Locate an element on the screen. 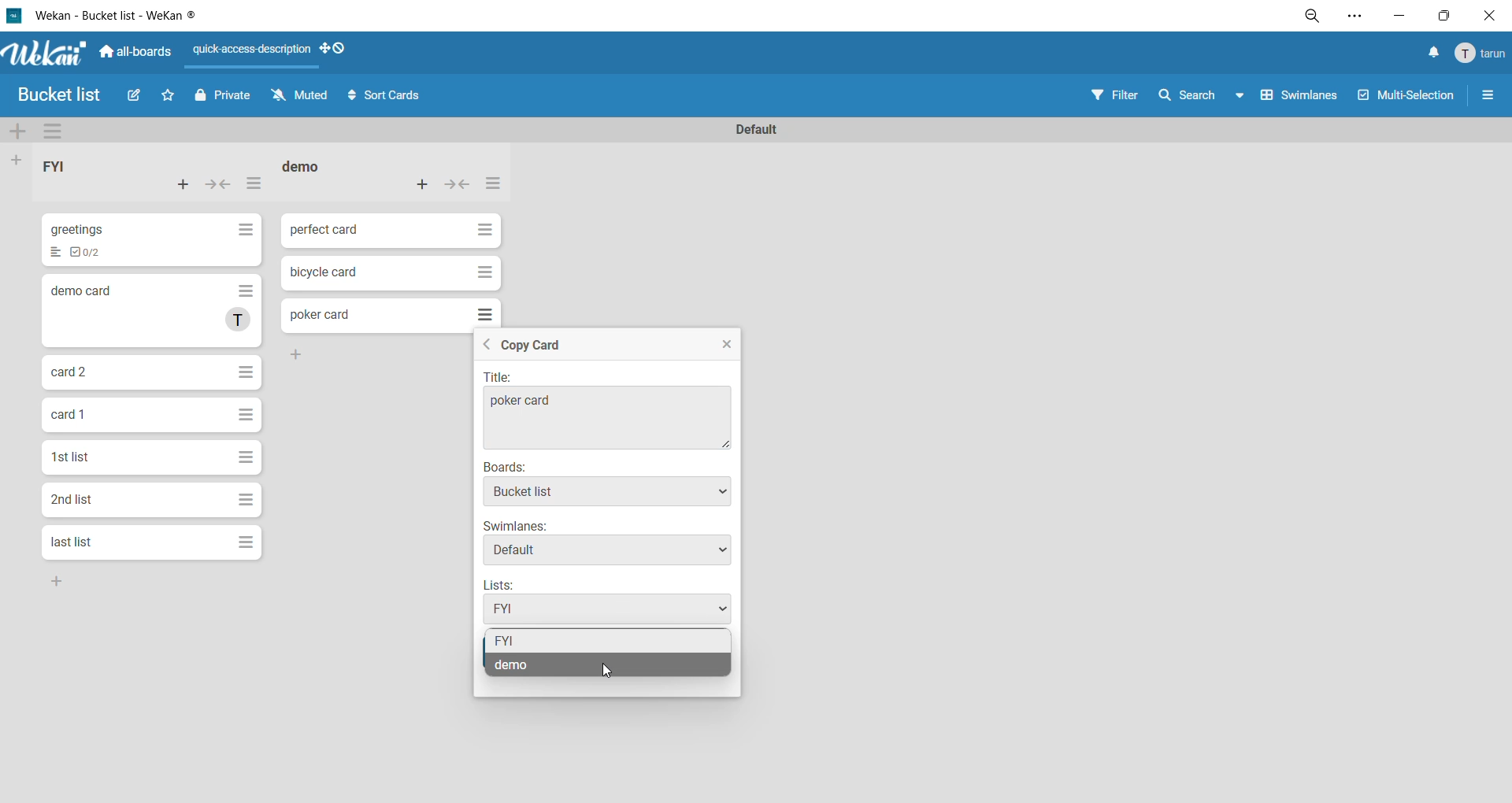 This screenshot has width=1512, height=803. muted is located at coordinates (302, 98).